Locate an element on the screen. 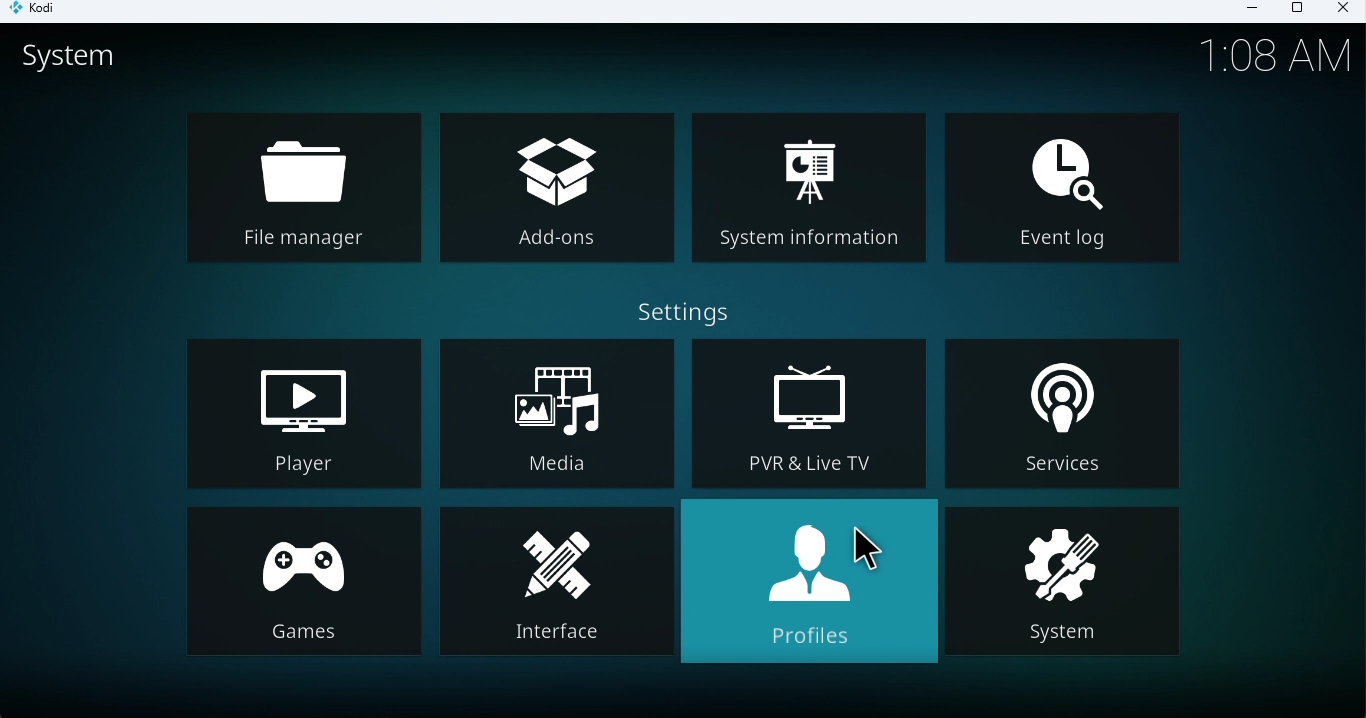 The width and height of the screenshot is (1366, 718). Add-ons is located at coordinates (553, 189).